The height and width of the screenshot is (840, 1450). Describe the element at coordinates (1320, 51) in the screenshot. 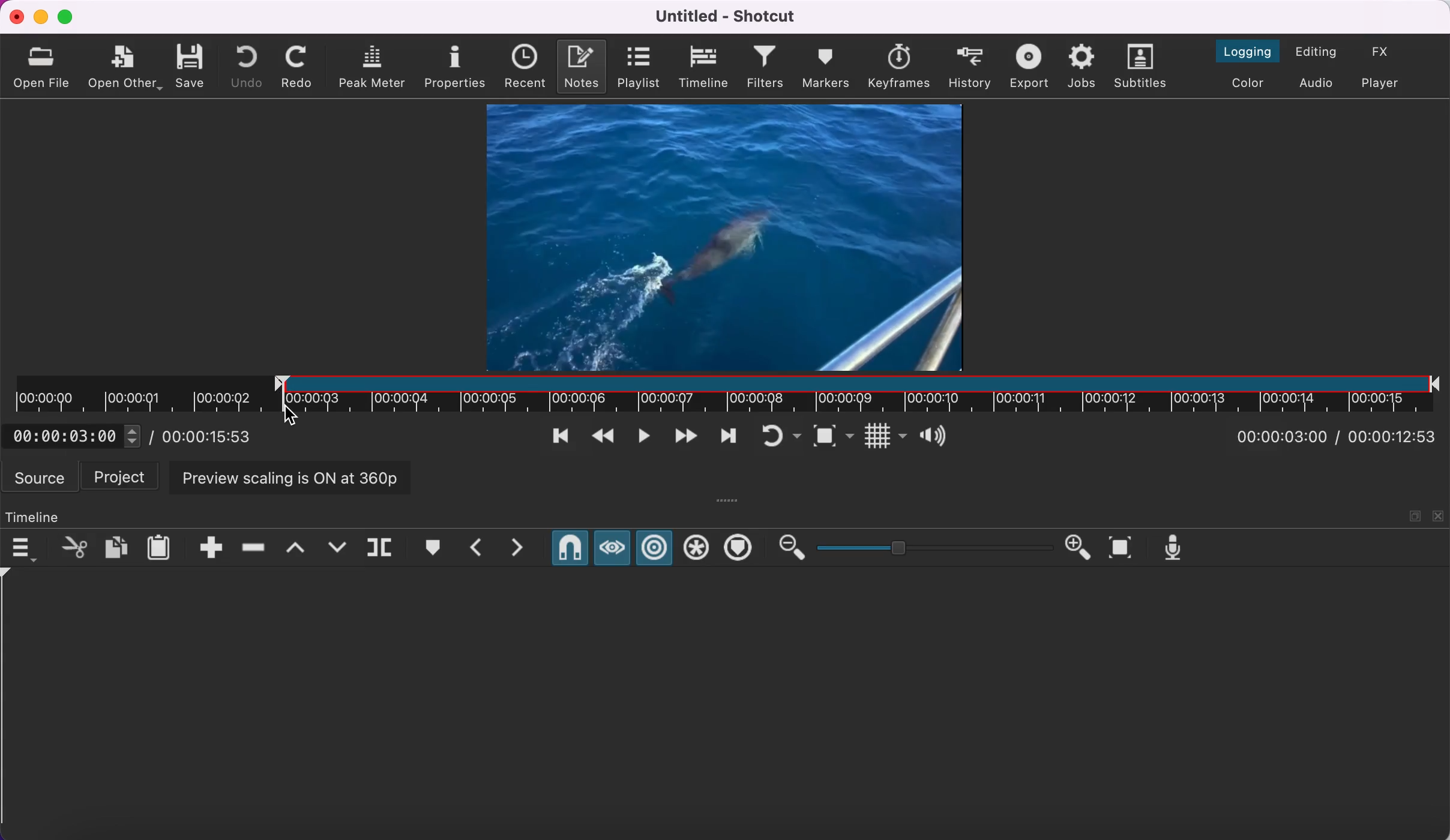

I see `switch to the editing layout` at that location.